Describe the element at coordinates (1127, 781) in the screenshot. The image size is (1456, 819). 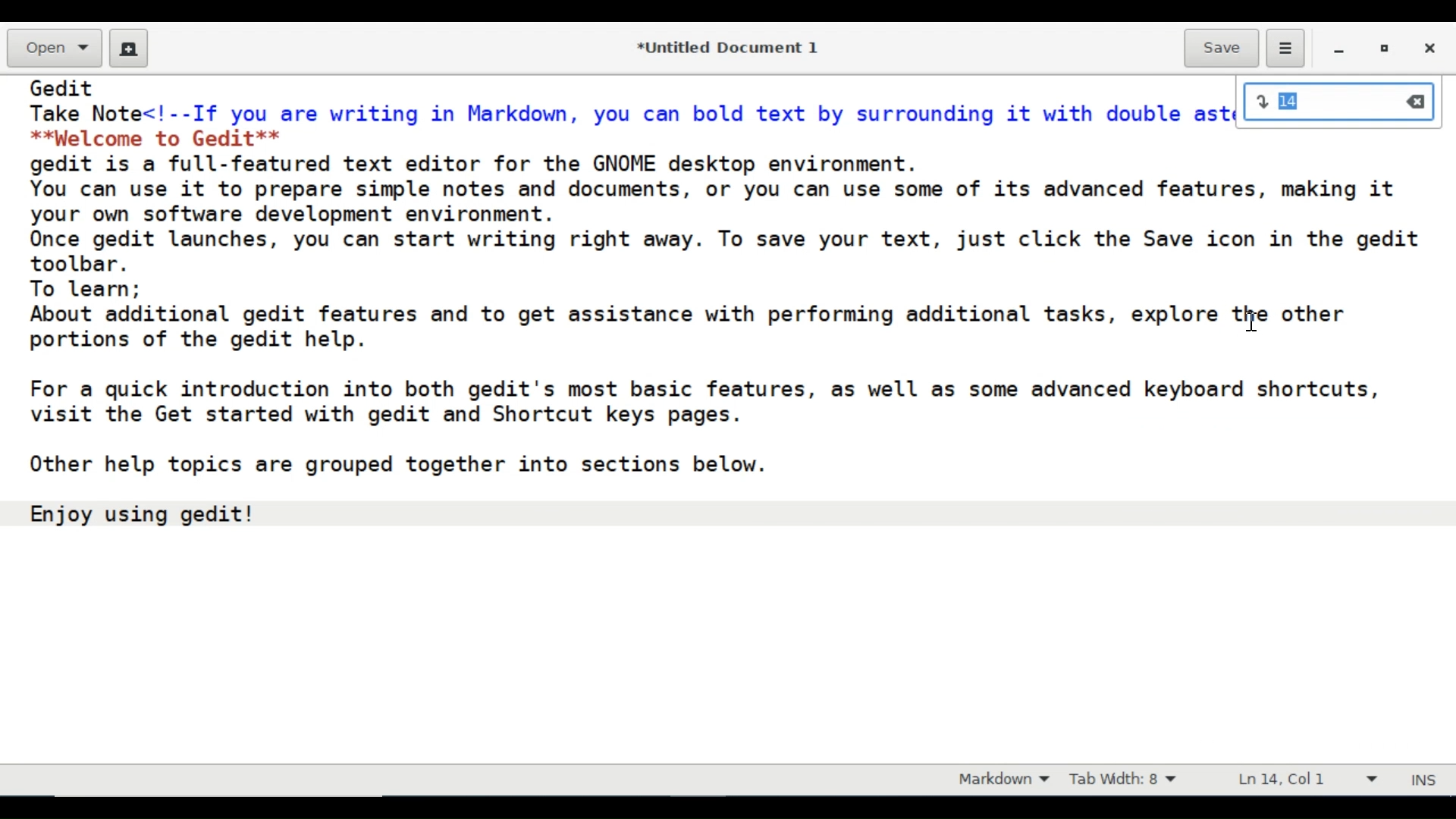
I see `Tab Width` at that location.